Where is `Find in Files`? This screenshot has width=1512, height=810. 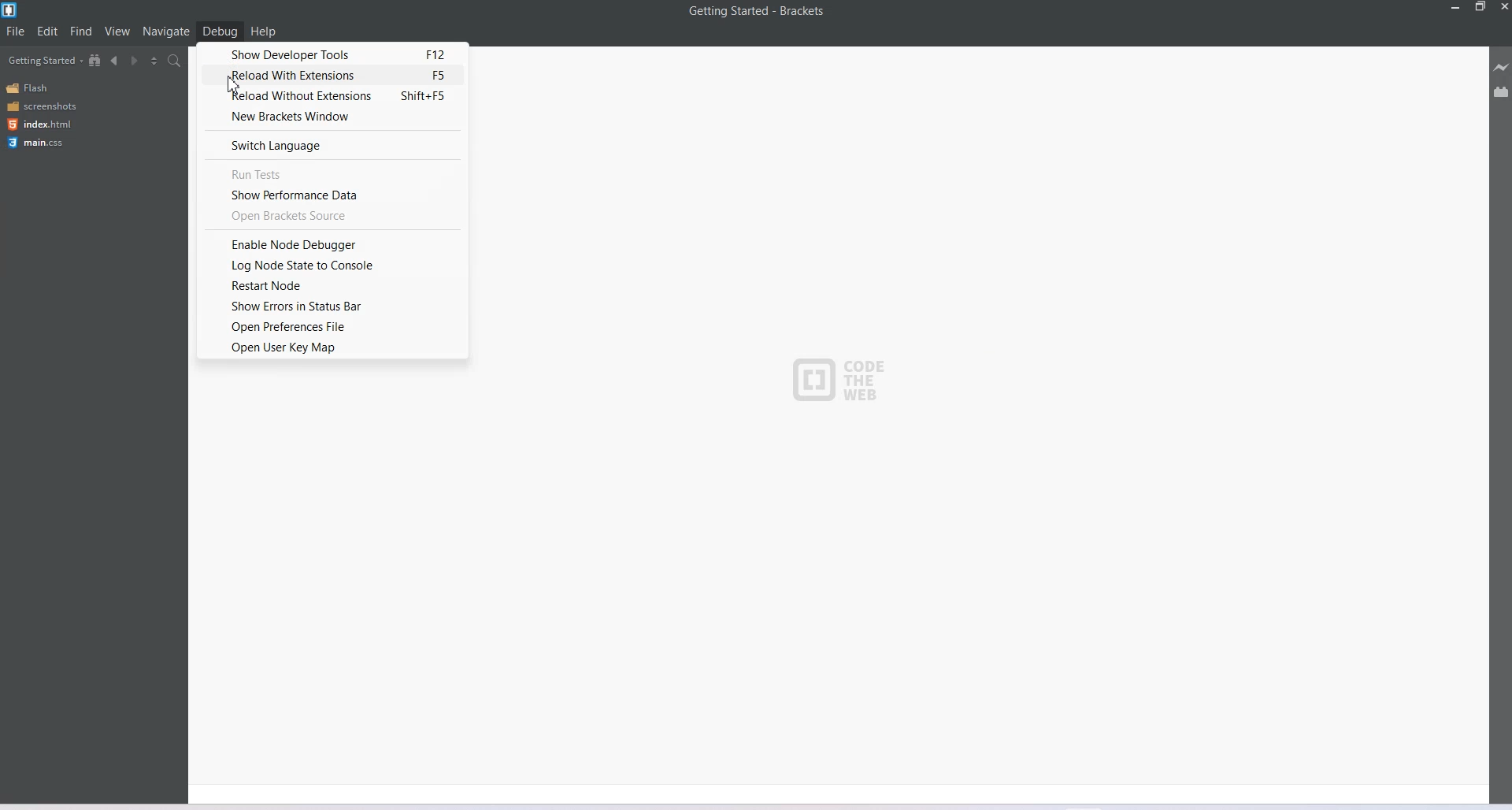
Find in Files is located at coordinates (175, 61).